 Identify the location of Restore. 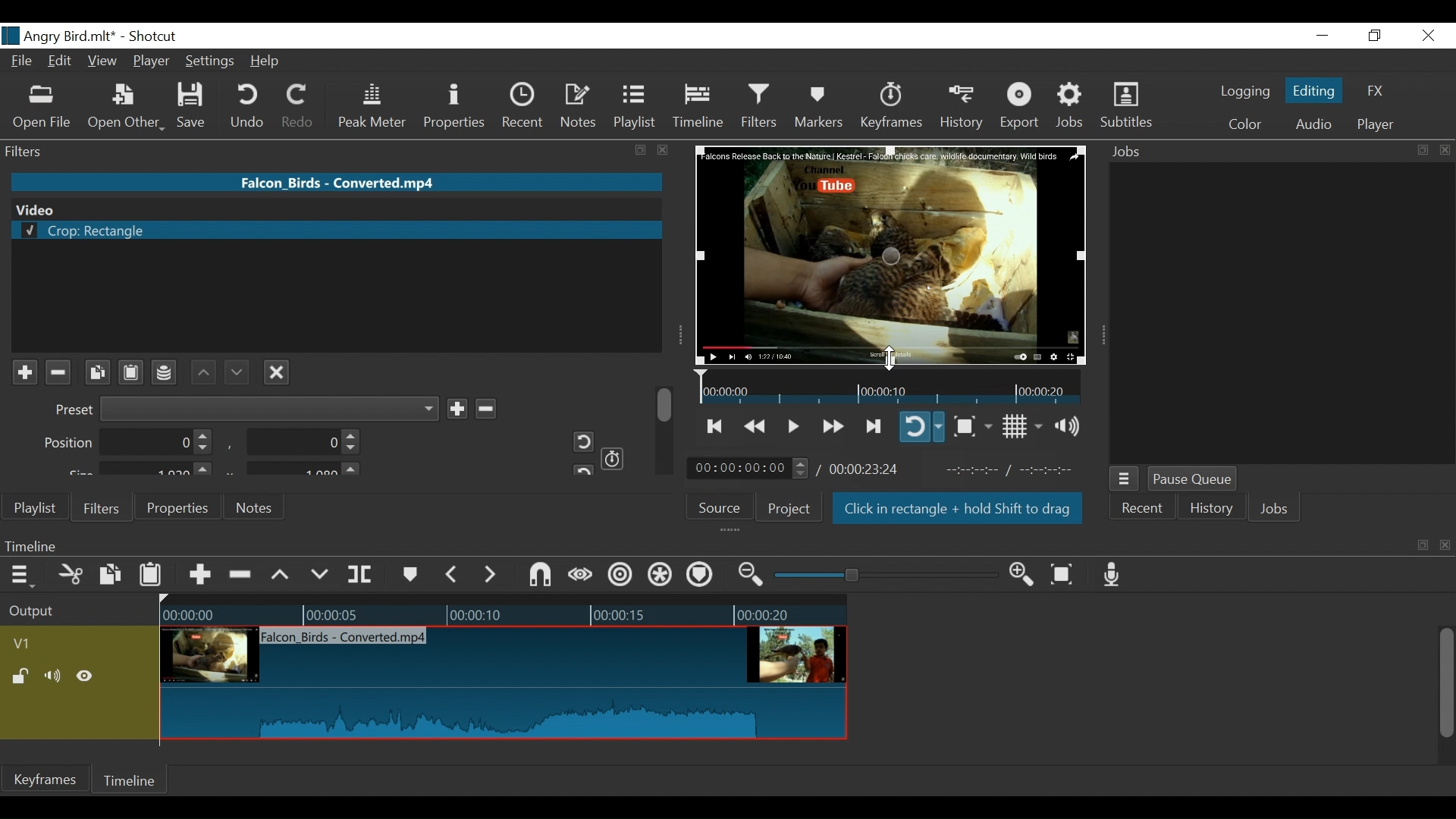
(1375, 36).